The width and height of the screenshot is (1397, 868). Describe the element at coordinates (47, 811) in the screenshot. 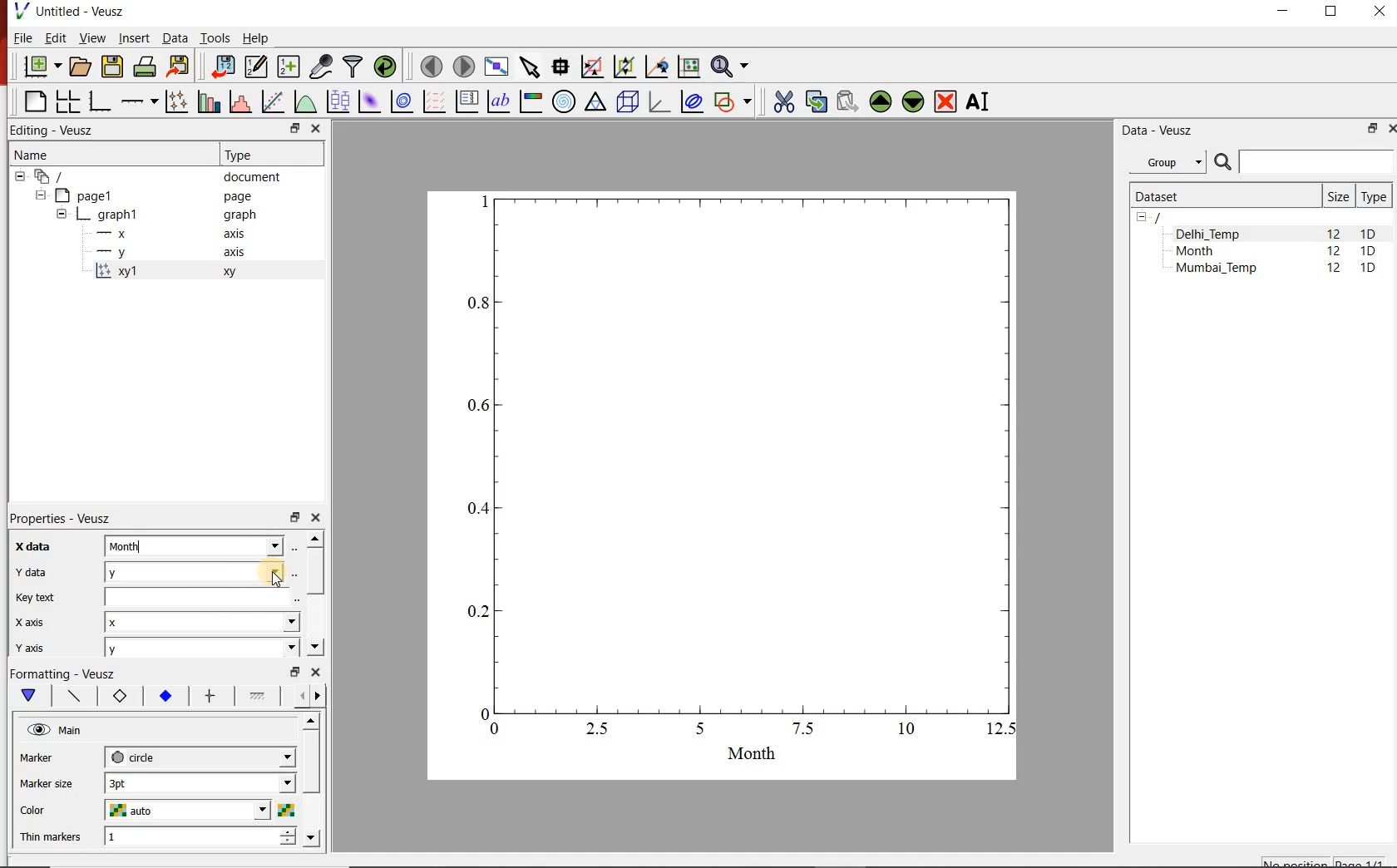

I see `color` at that location.